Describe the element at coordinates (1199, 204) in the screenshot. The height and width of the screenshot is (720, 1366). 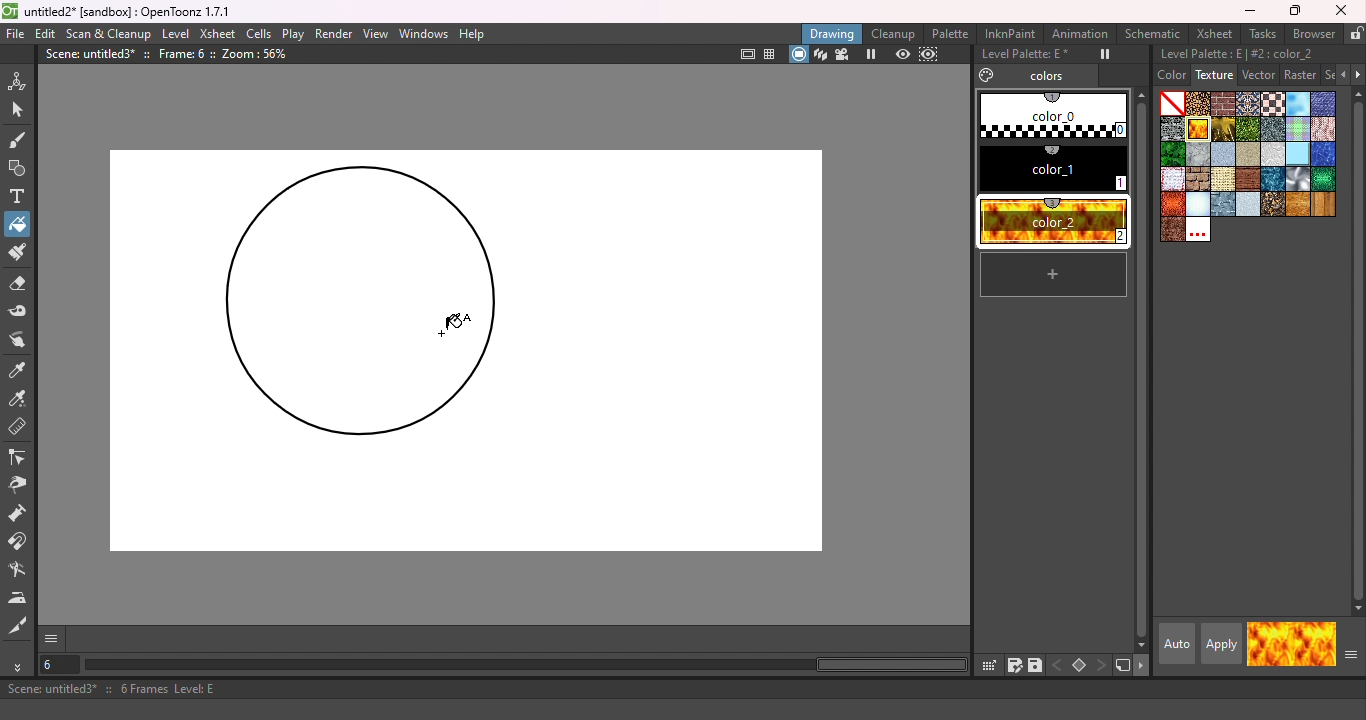
I see `snow.bmp` at that location.